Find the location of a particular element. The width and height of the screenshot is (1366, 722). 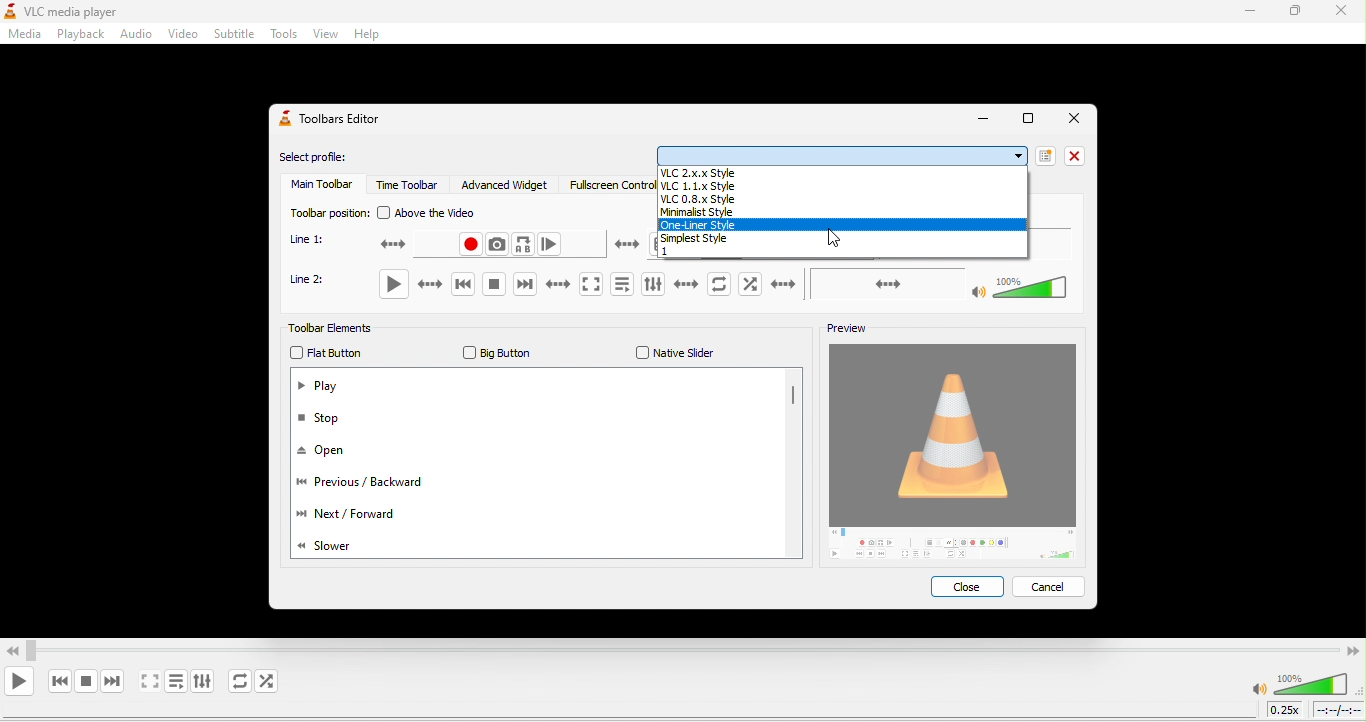

fullscreen controller is located at coordinates (605, 187).